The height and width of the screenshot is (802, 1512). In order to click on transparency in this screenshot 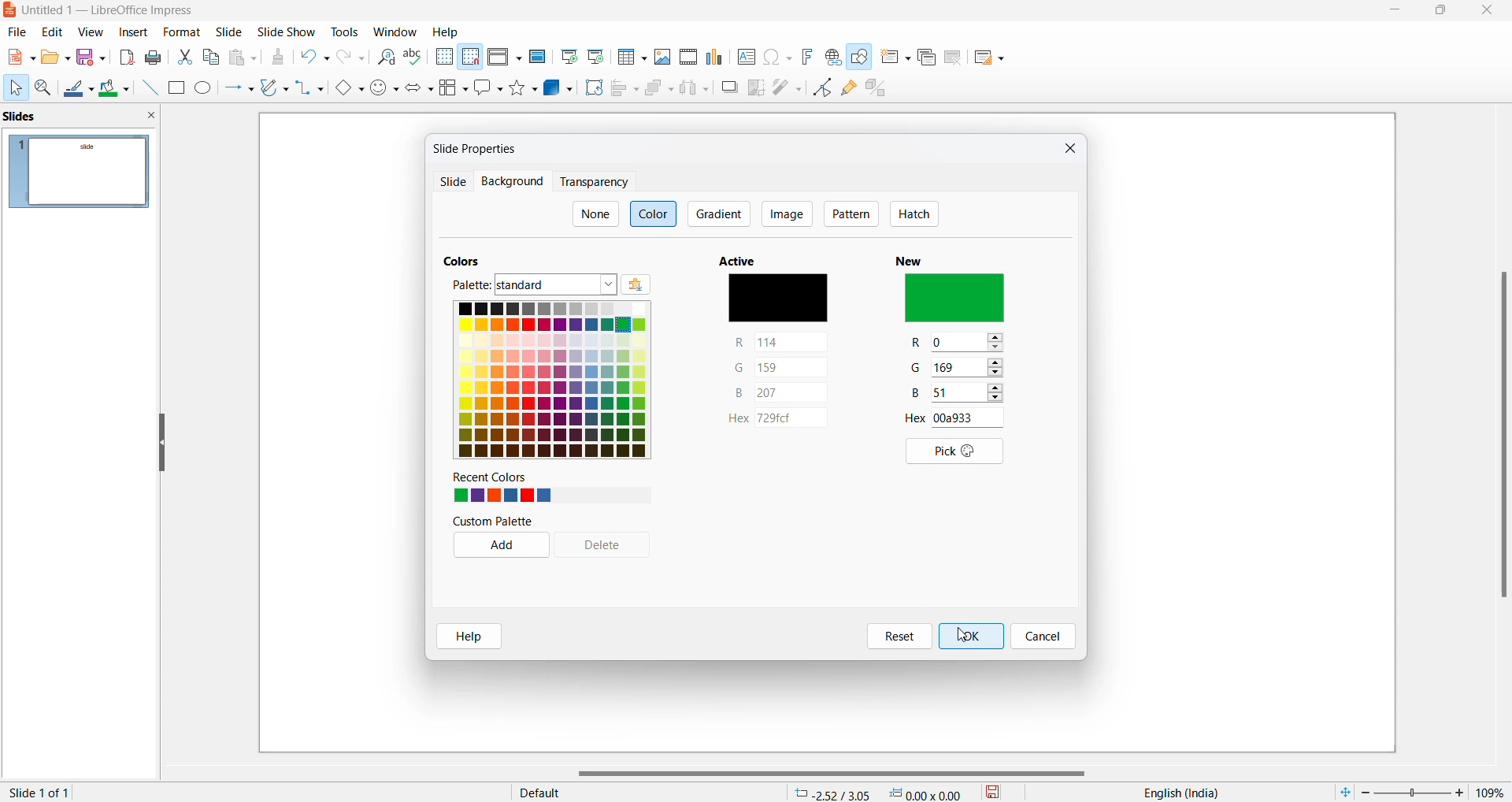, I will do `click(593, 182)`.